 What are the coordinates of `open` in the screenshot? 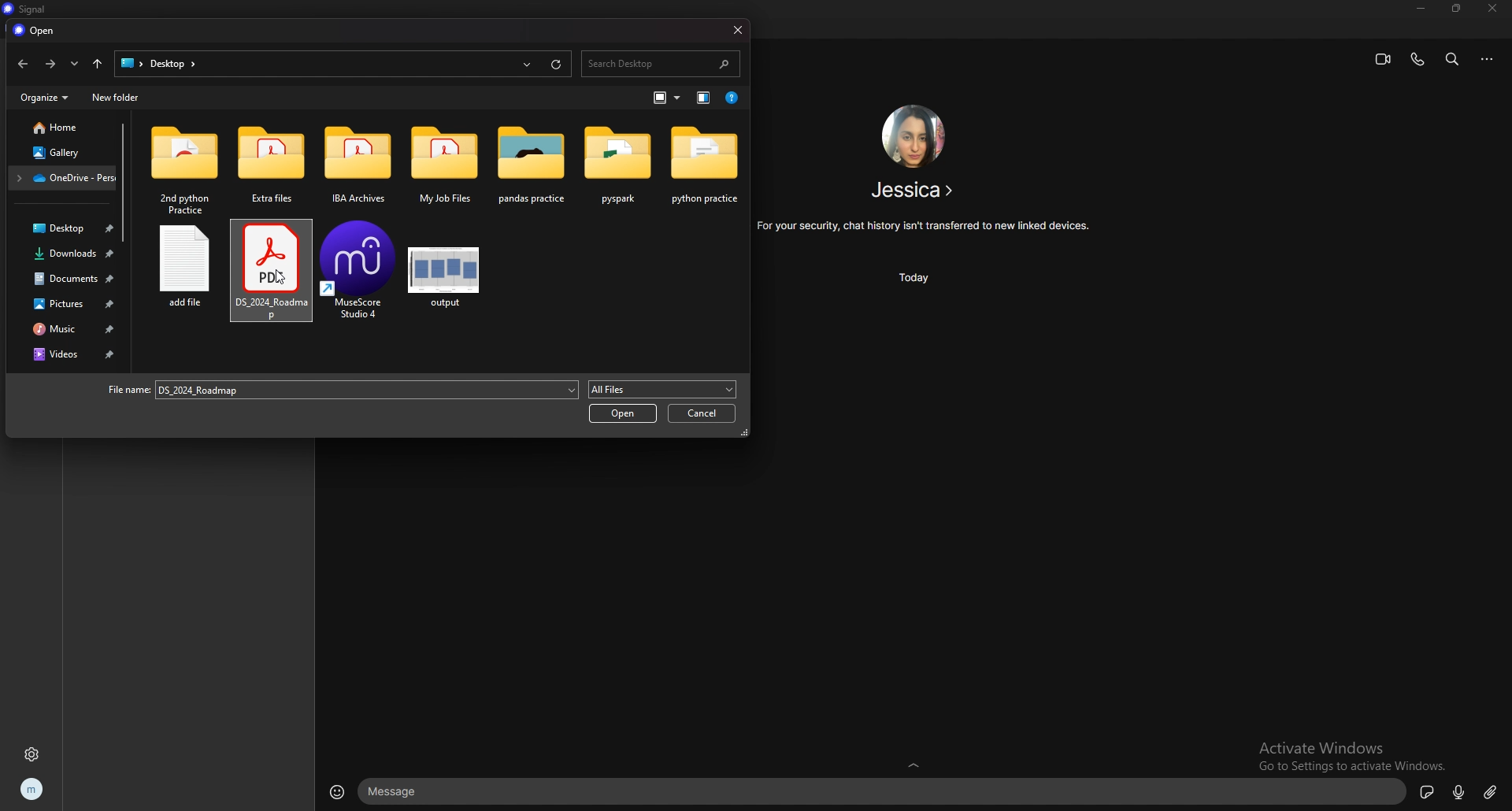 It's located at (37, 31).